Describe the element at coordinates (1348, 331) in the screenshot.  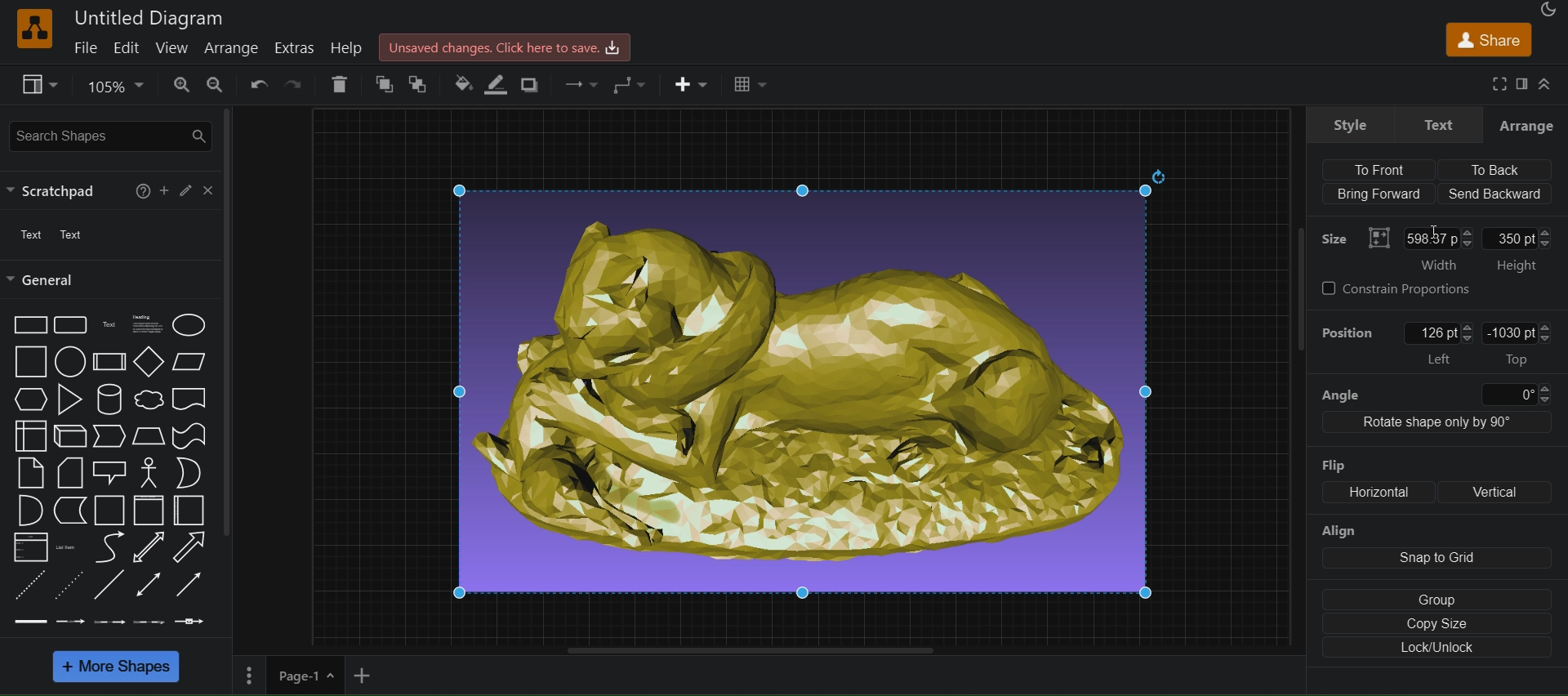
I see `Position` at that location.